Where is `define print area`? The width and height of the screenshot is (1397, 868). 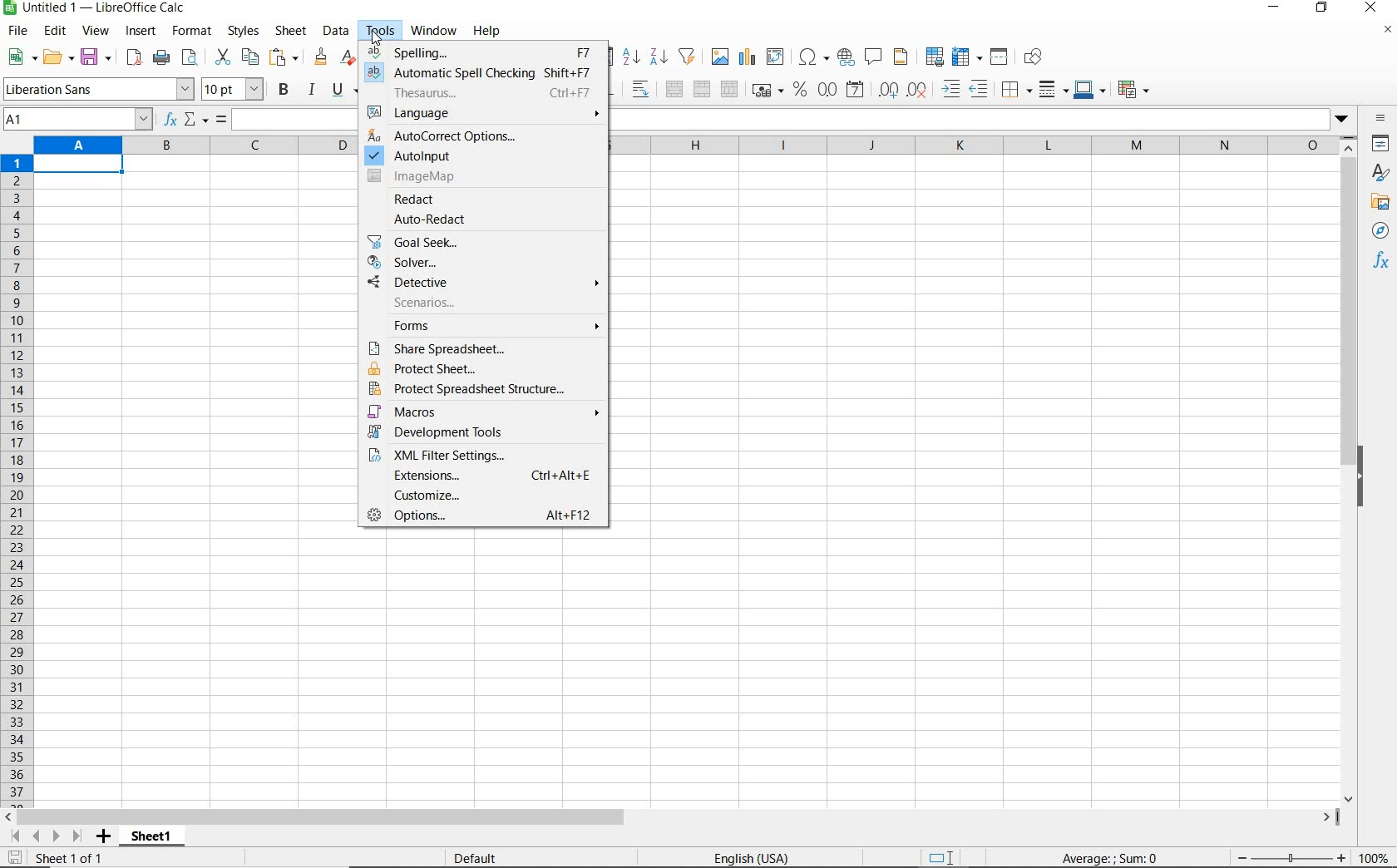 define print area is located at coordinates (933, 57).